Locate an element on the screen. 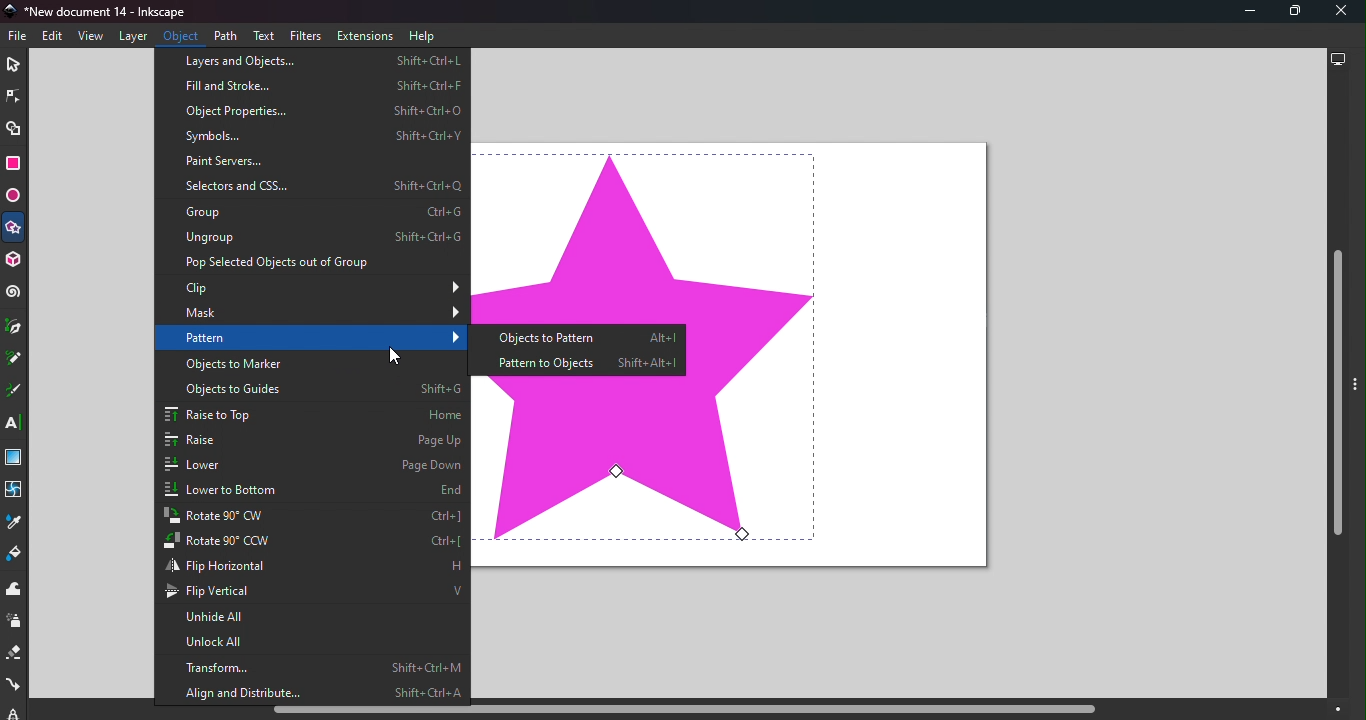 The image size is (1366, 720). Text is located at coordinates (264, 36).